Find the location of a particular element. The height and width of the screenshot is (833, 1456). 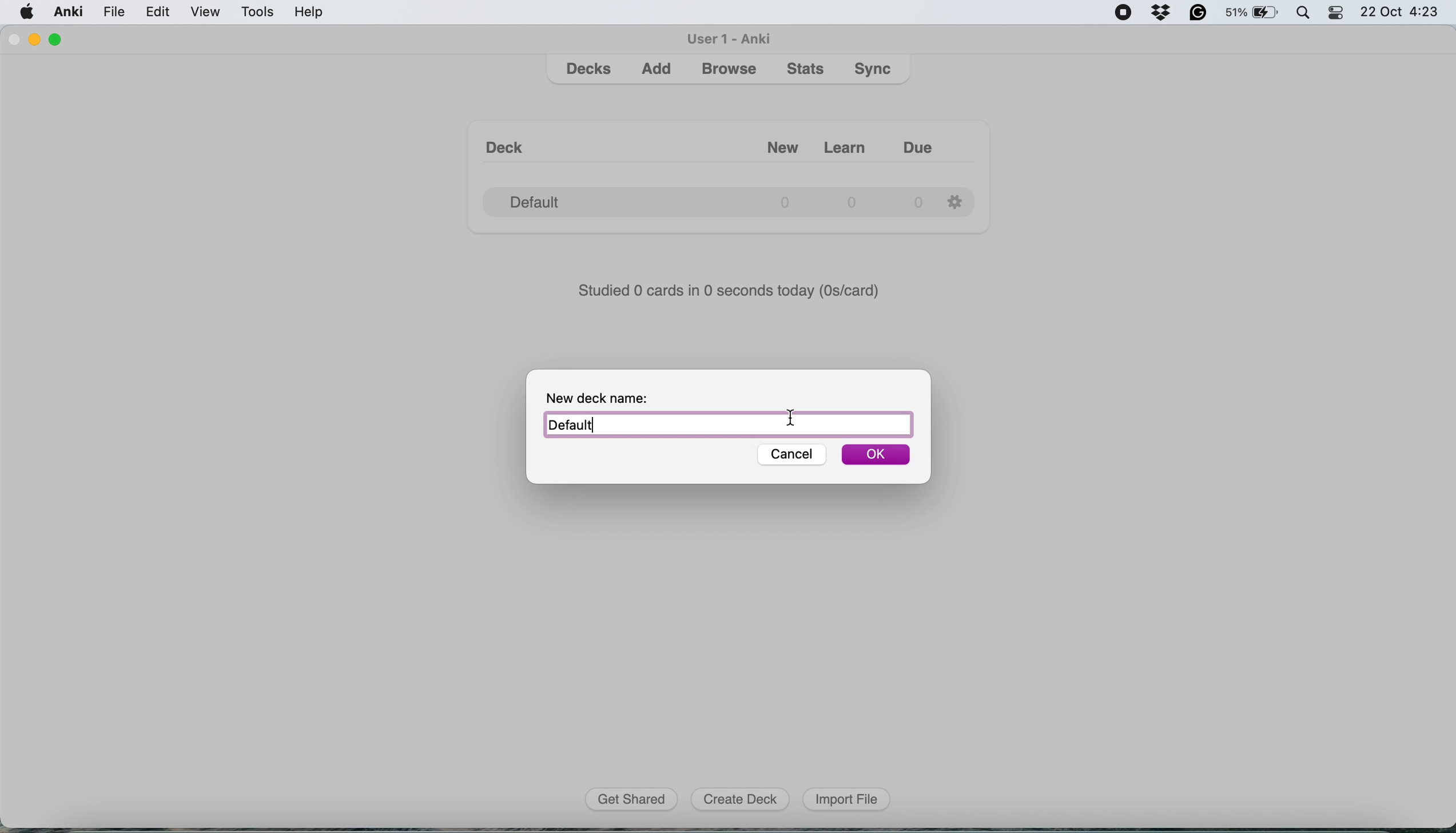

Settings is located at coordinates (958, 200).